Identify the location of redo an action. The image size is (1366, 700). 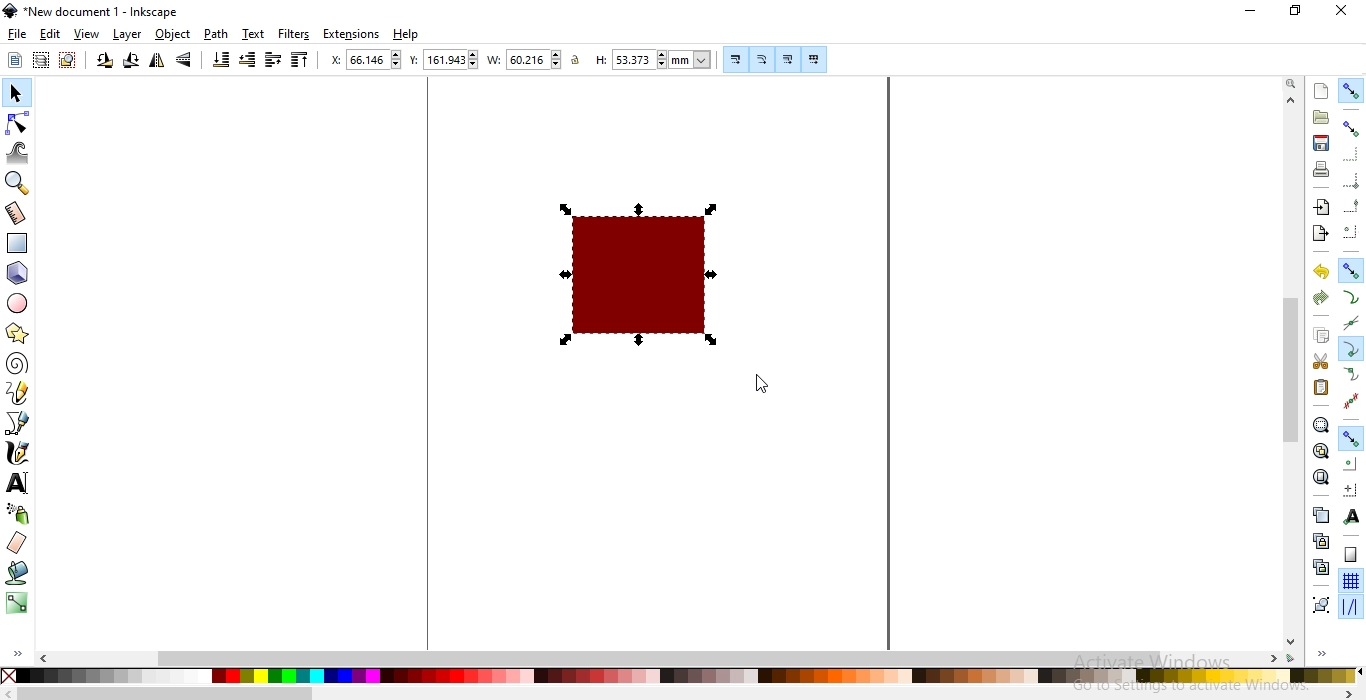
(1320, 296).